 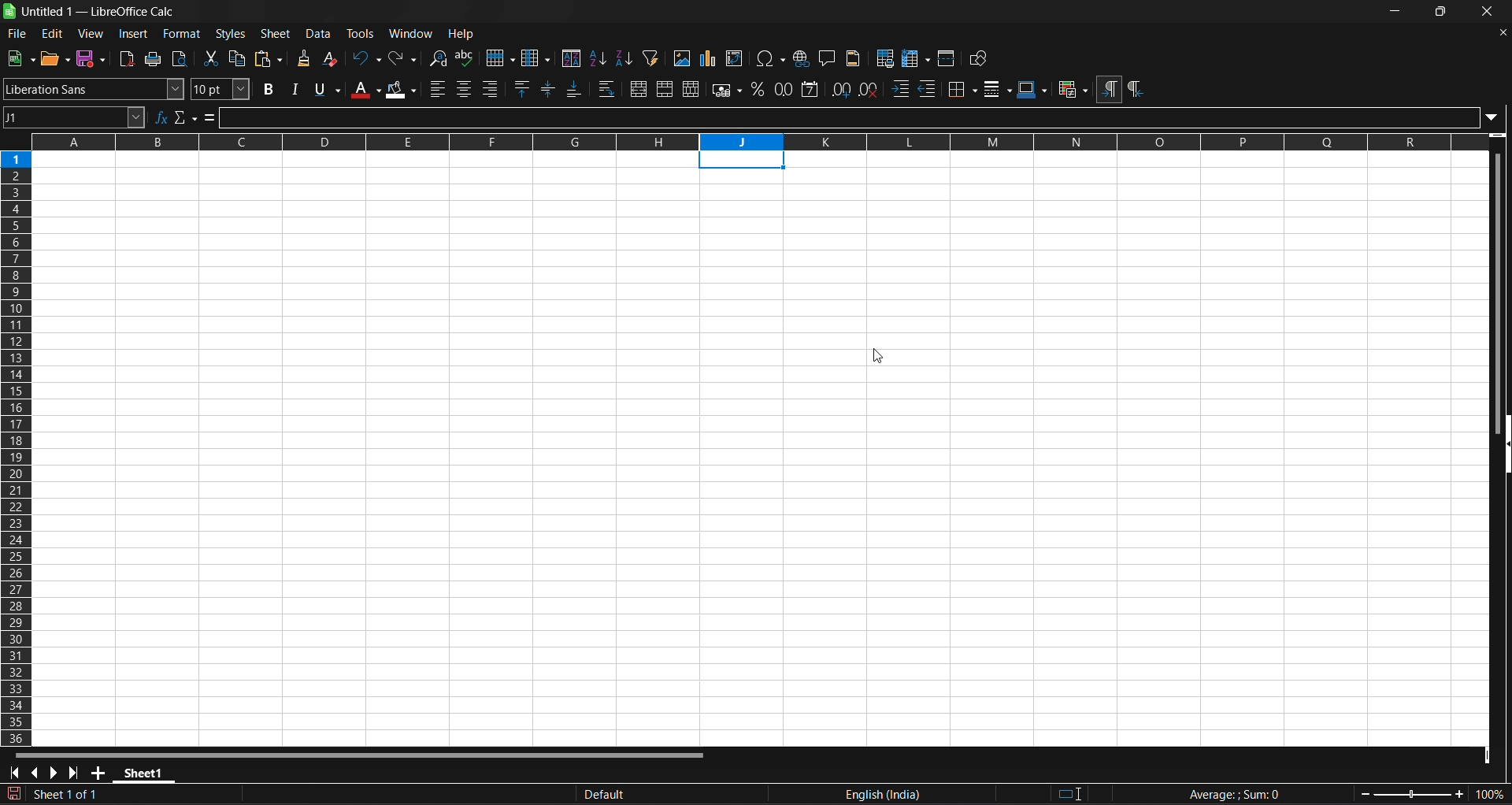 I want to click on merge and center or unmerge cells depending on the toggle state, so click(x=641, y=89).